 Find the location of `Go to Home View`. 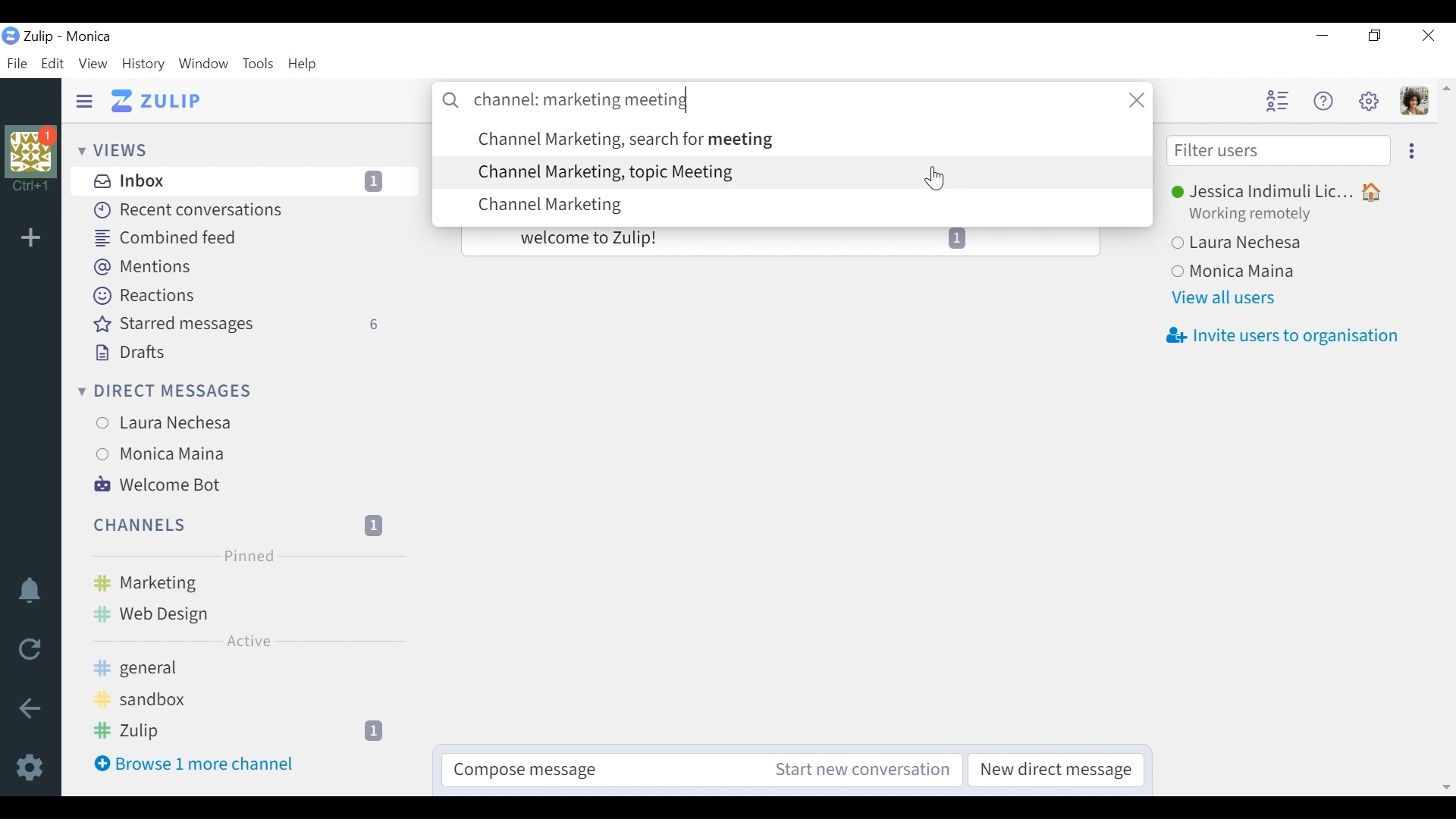

Go to Home View is located at coordinates (165, 101).